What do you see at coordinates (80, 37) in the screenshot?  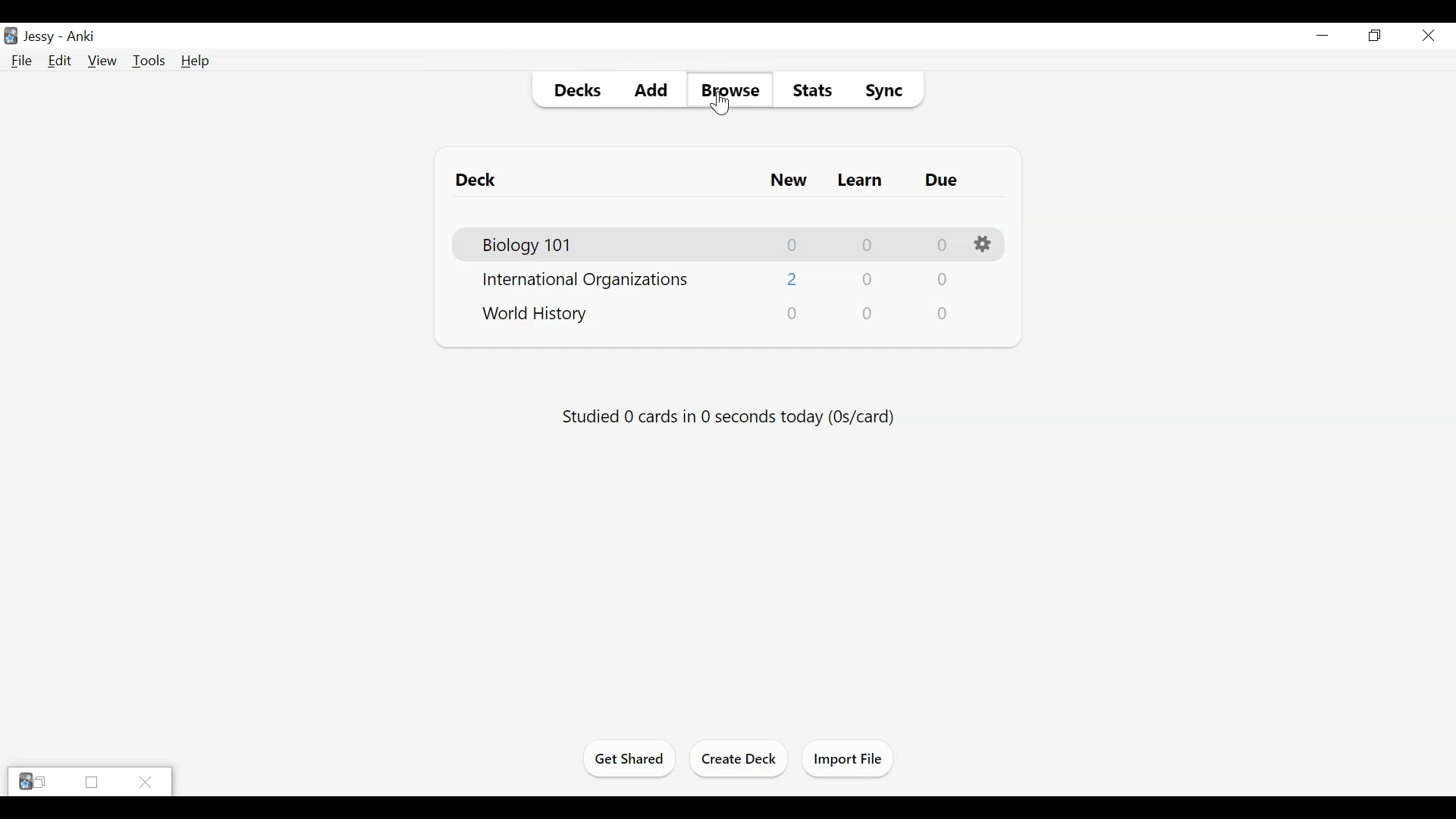 I see `Anki` at bounding box center [80, 37].